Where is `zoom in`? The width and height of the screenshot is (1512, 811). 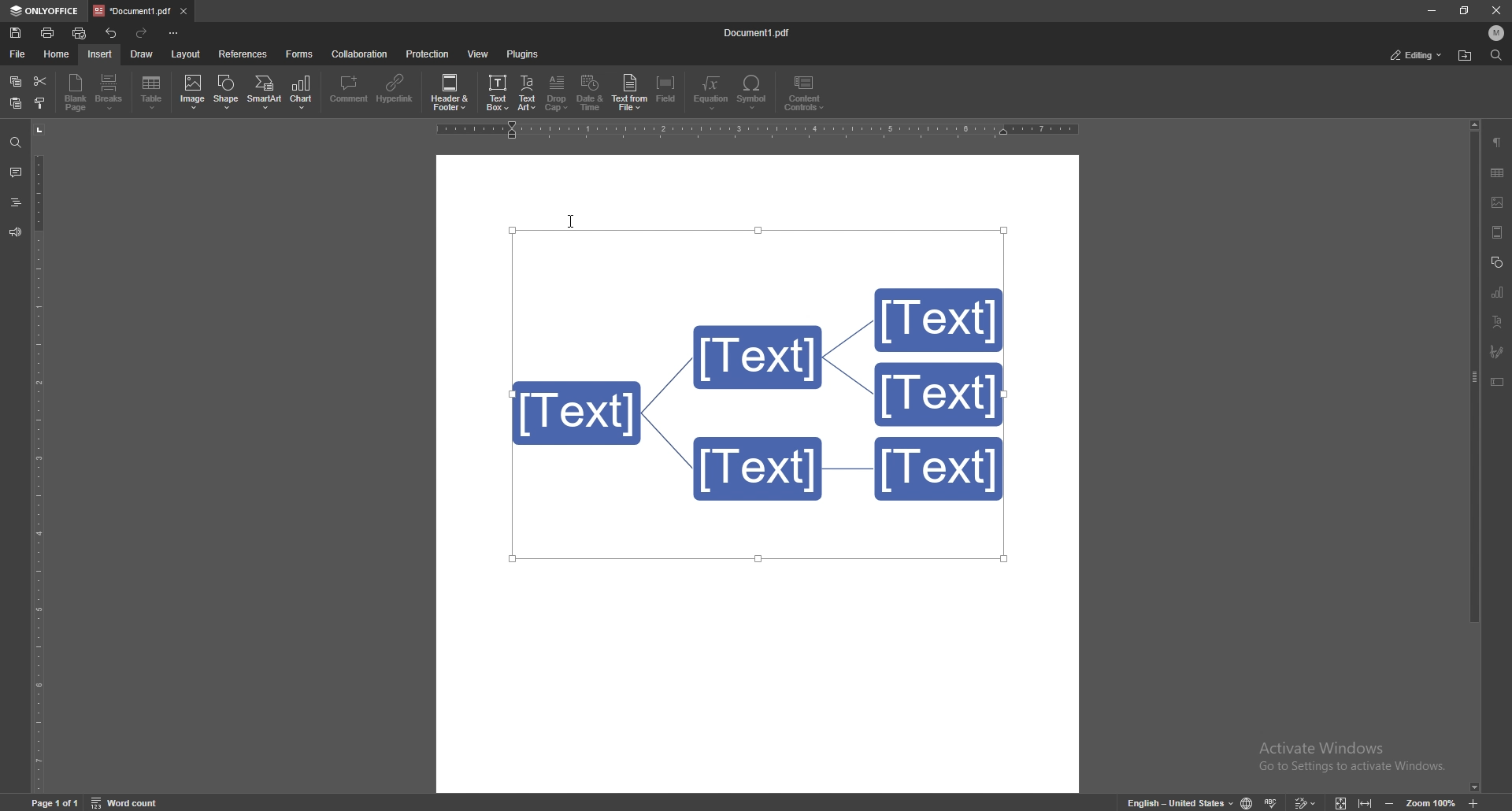 zoom in is located at coordinates (1477, 803).